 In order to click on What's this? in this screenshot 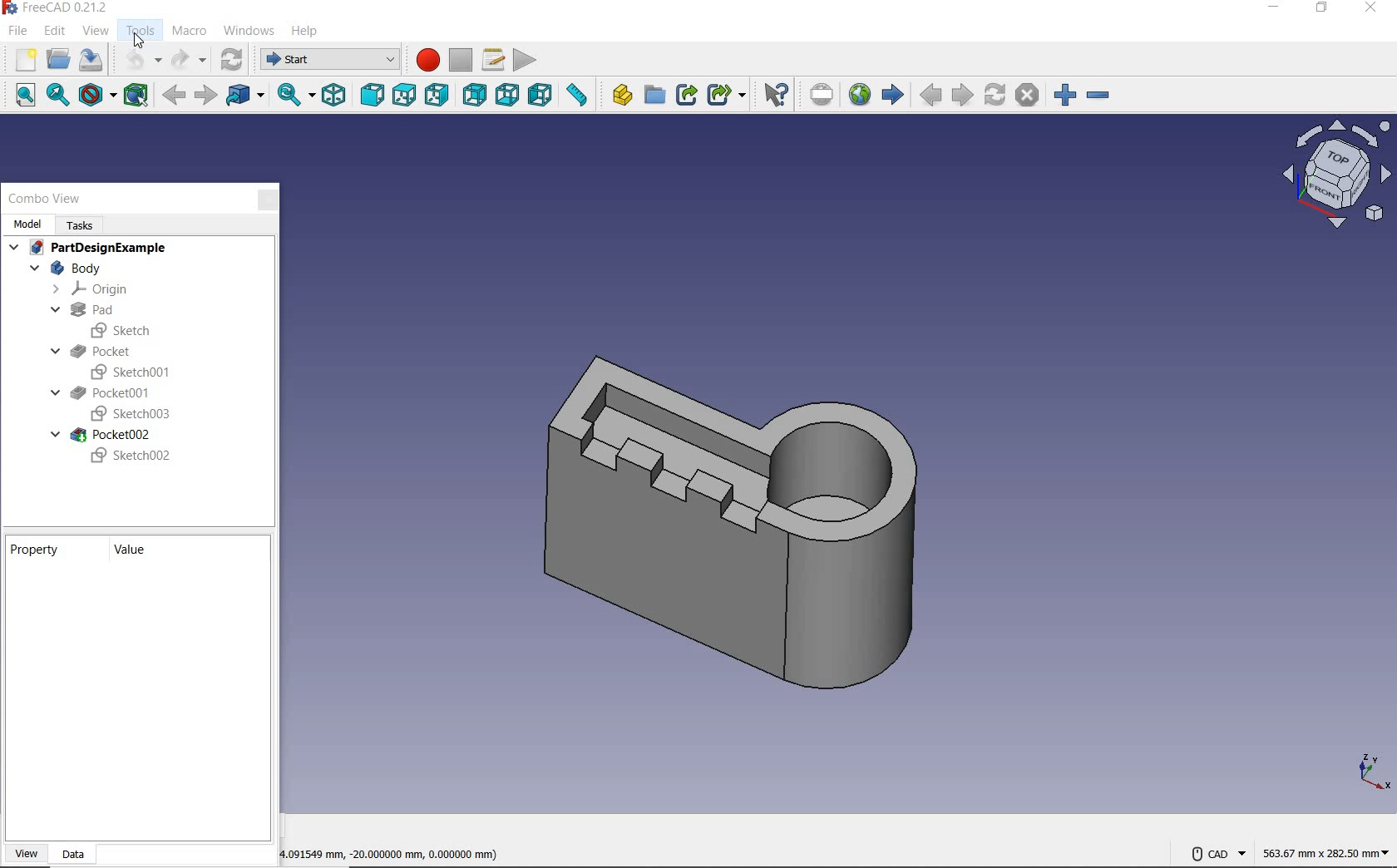, I will do `click(775, 93)`.